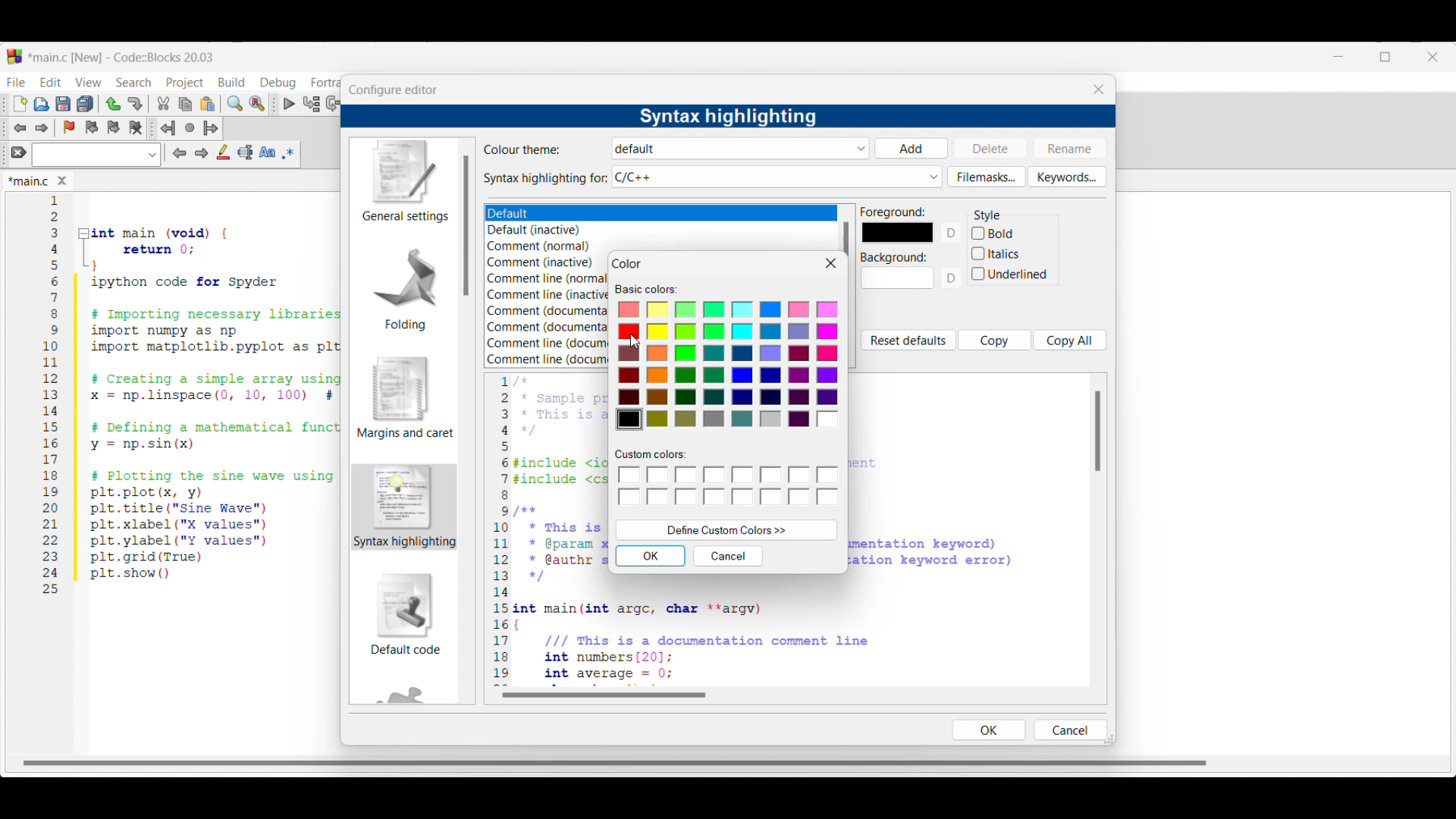 The width and height of the screenshot is (1456, 819). What do you see at coordinates (267, 152) in the screenshot?
I see `Match case` at bounding box center [267, 152].